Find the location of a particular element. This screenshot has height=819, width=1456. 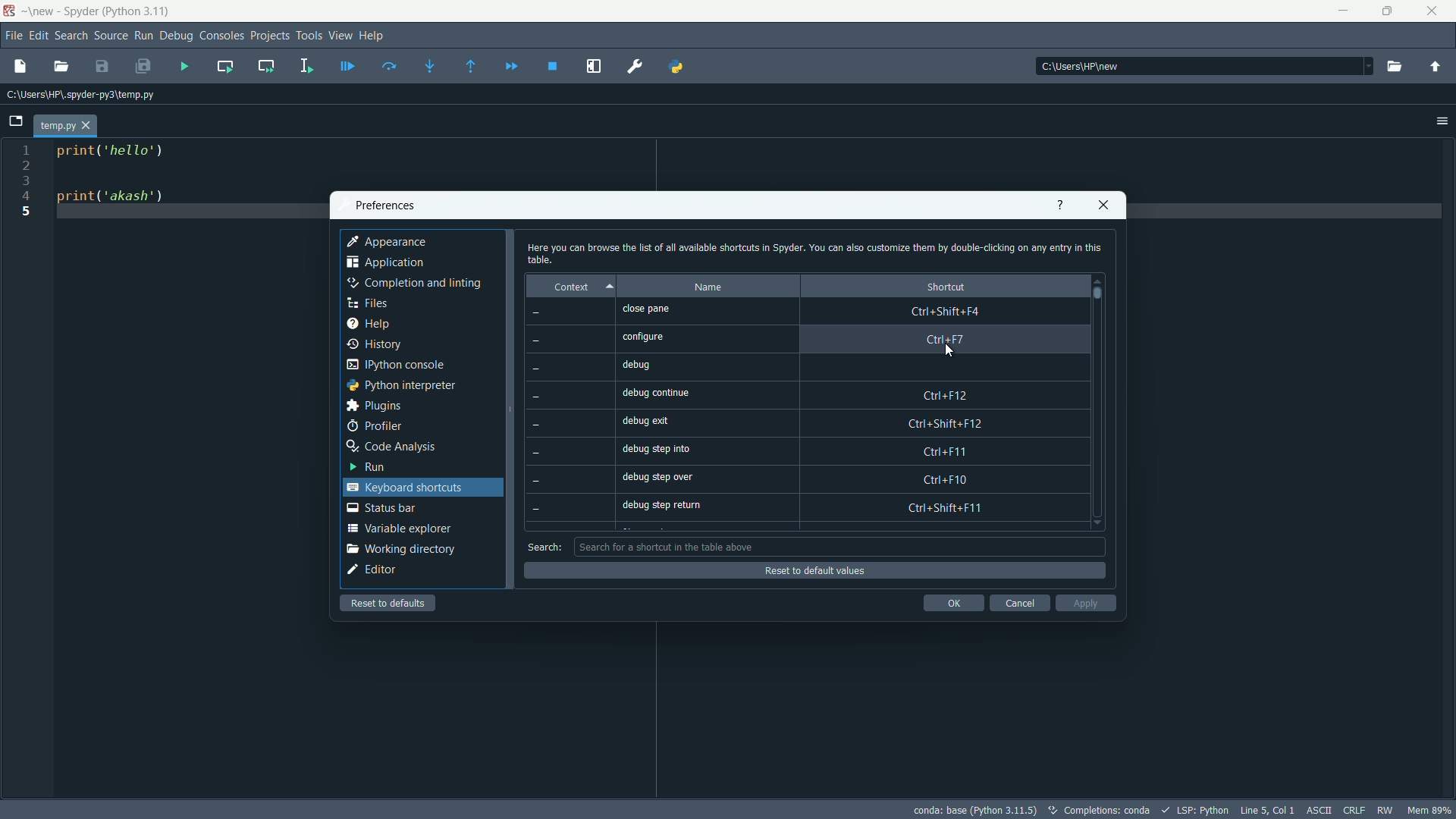

run is located at coordinates (365, 466).